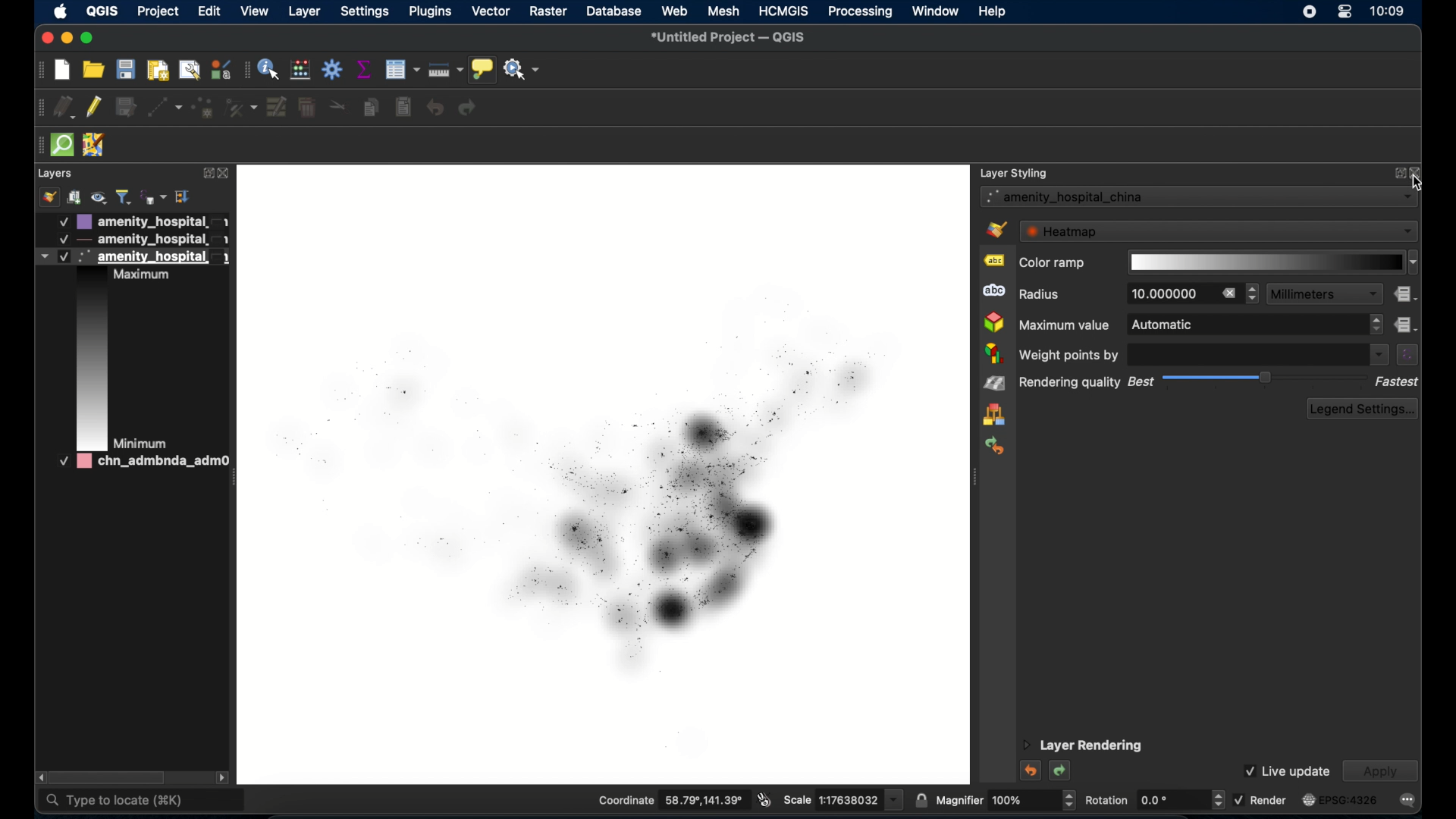  Describe the element at coordinates (841, 801) in the screenshot. I see `scale` at that location.